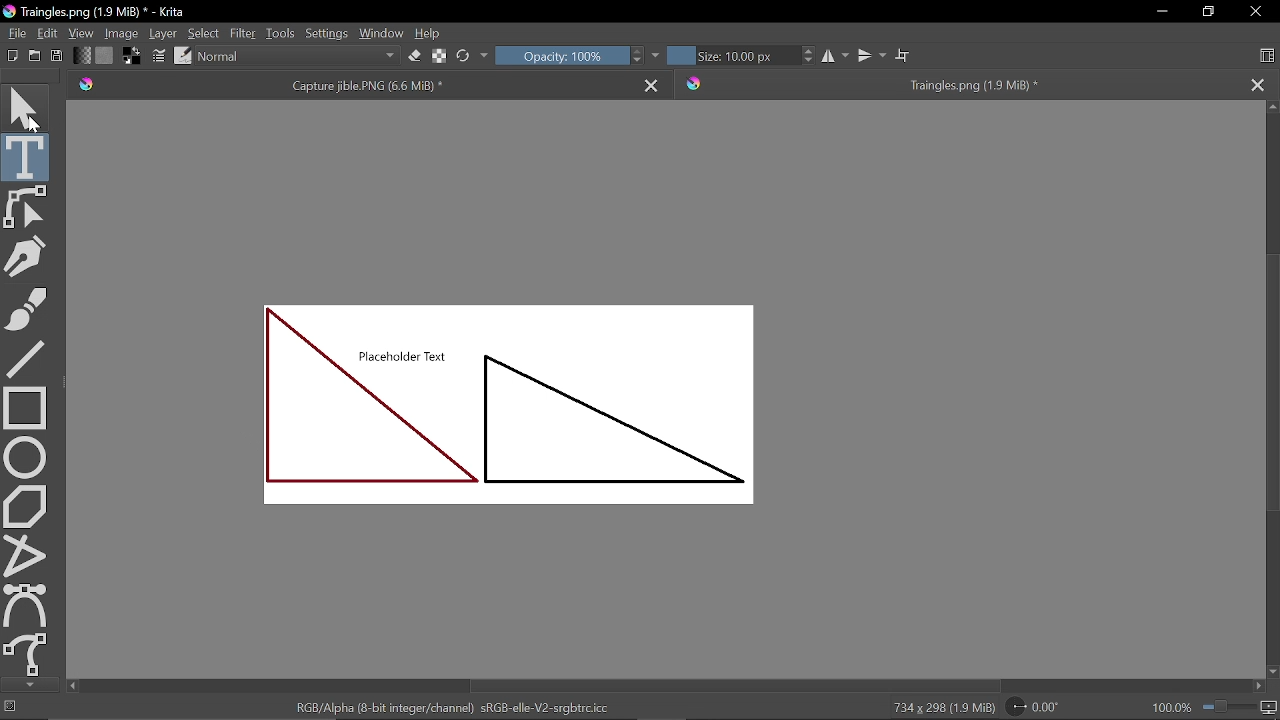 The height and width of the screenshot is (720, 1280). Describe the element at coordinates (54, 57) in the screenshot. I see `Save` at that location.